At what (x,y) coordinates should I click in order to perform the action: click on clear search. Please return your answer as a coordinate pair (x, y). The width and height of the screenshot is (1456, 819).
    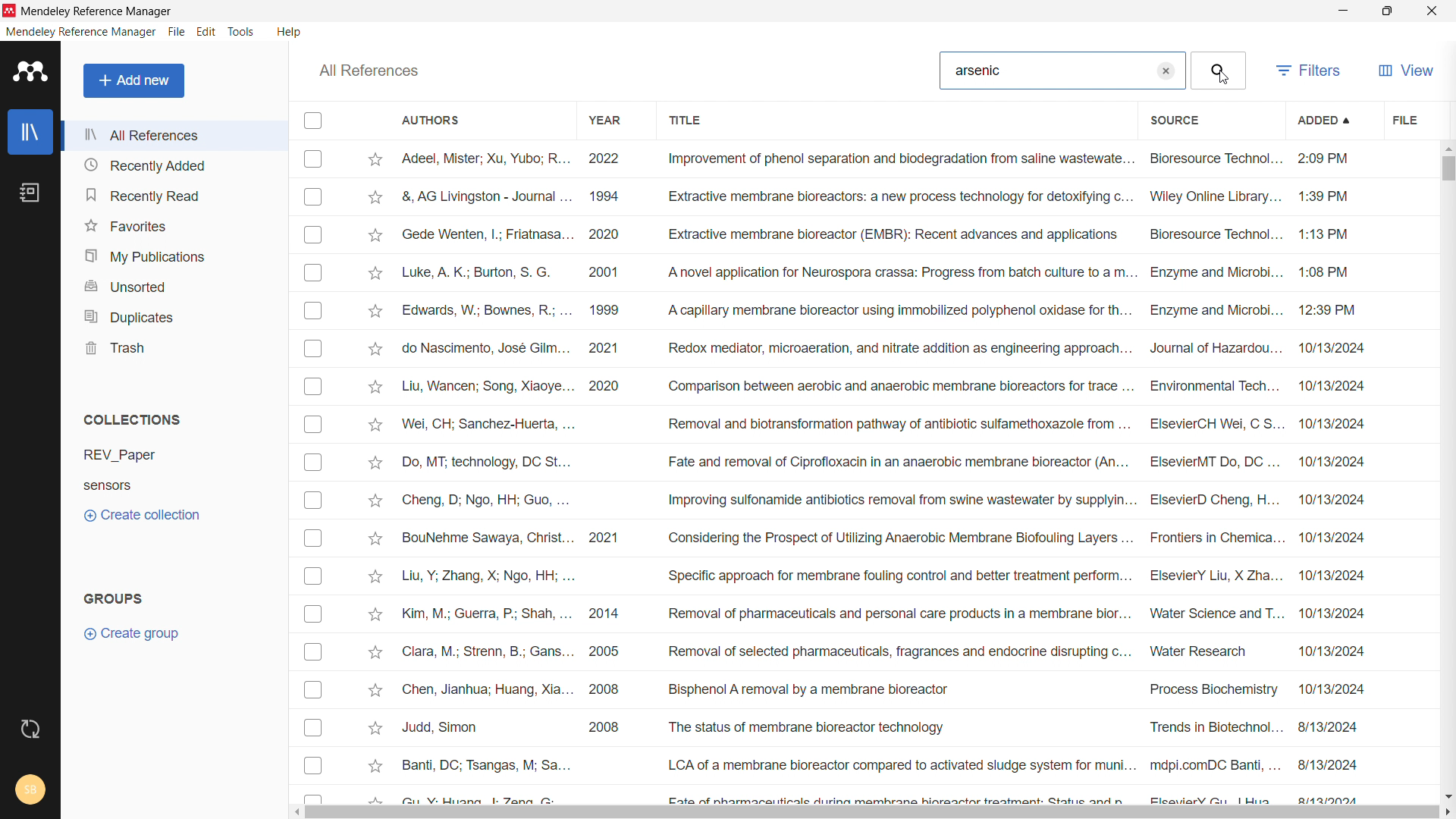
    Looking at the image, I should click on (1166, 71).